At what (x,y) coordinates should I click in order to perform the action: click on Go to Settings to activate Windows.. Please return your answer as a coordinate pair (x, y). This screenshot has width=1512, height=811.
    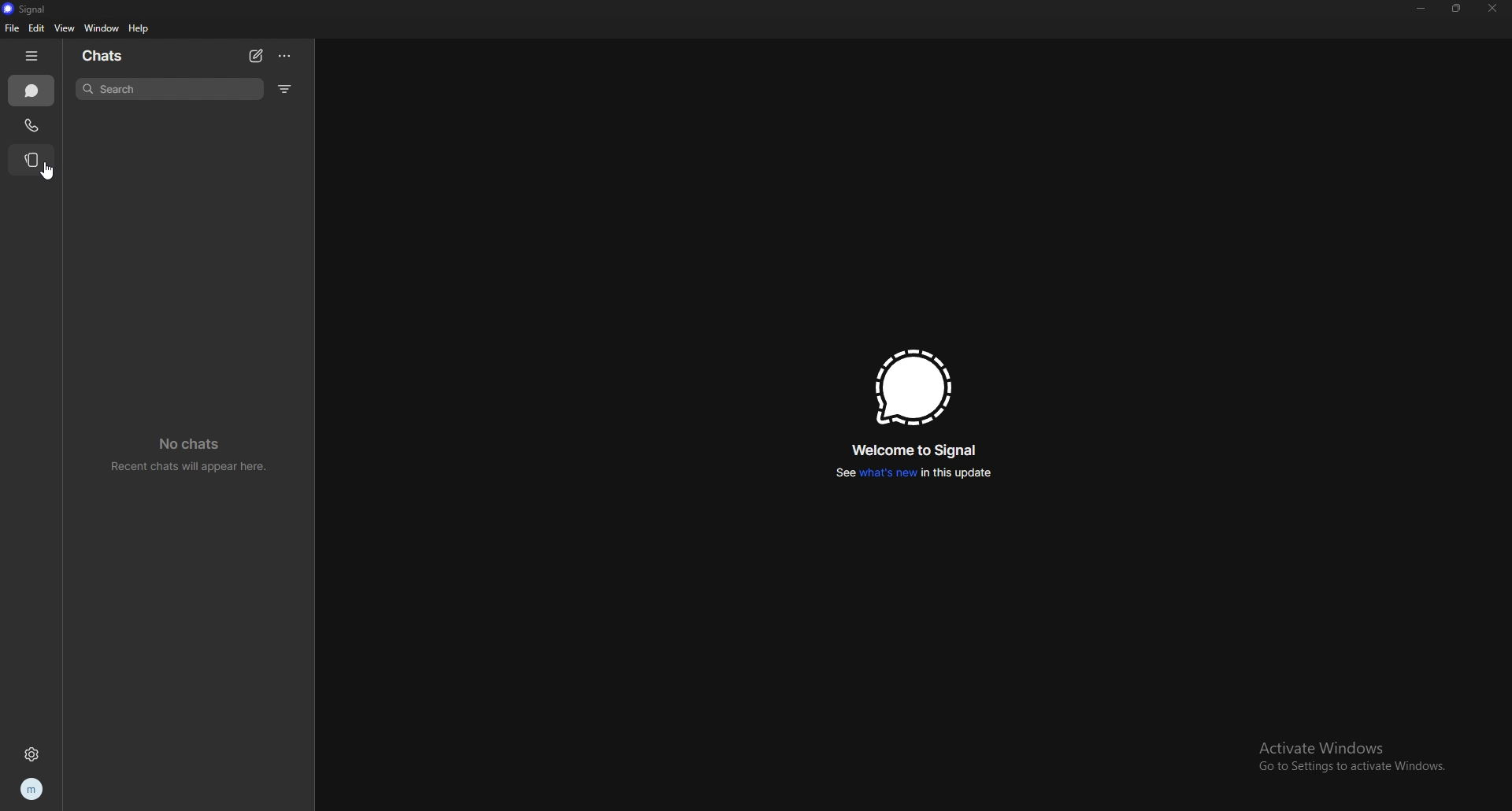
    Looking at the image, I should click on (1358, 768).